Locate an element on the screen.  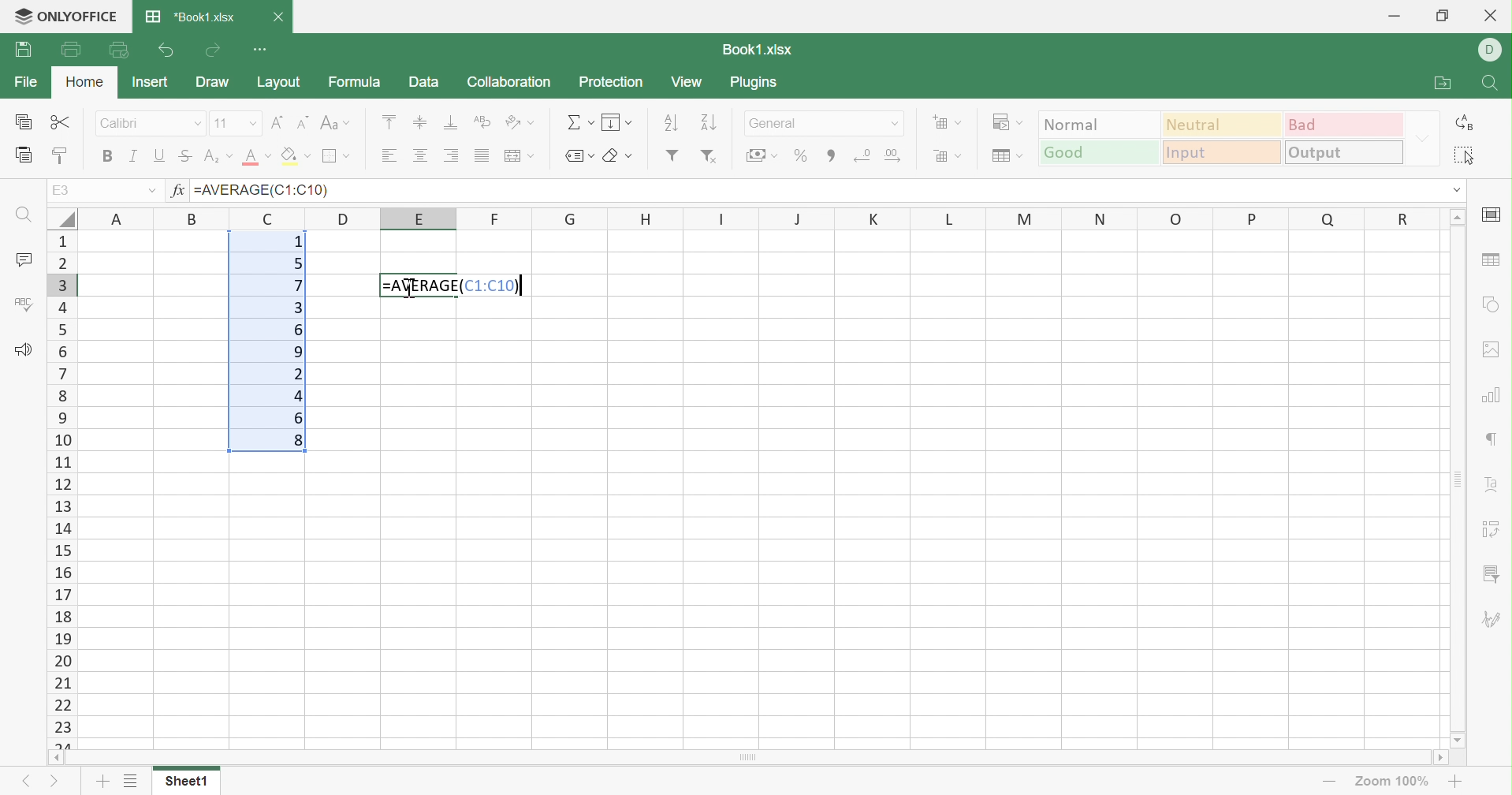
Column names is located at coordinates (741, 218).